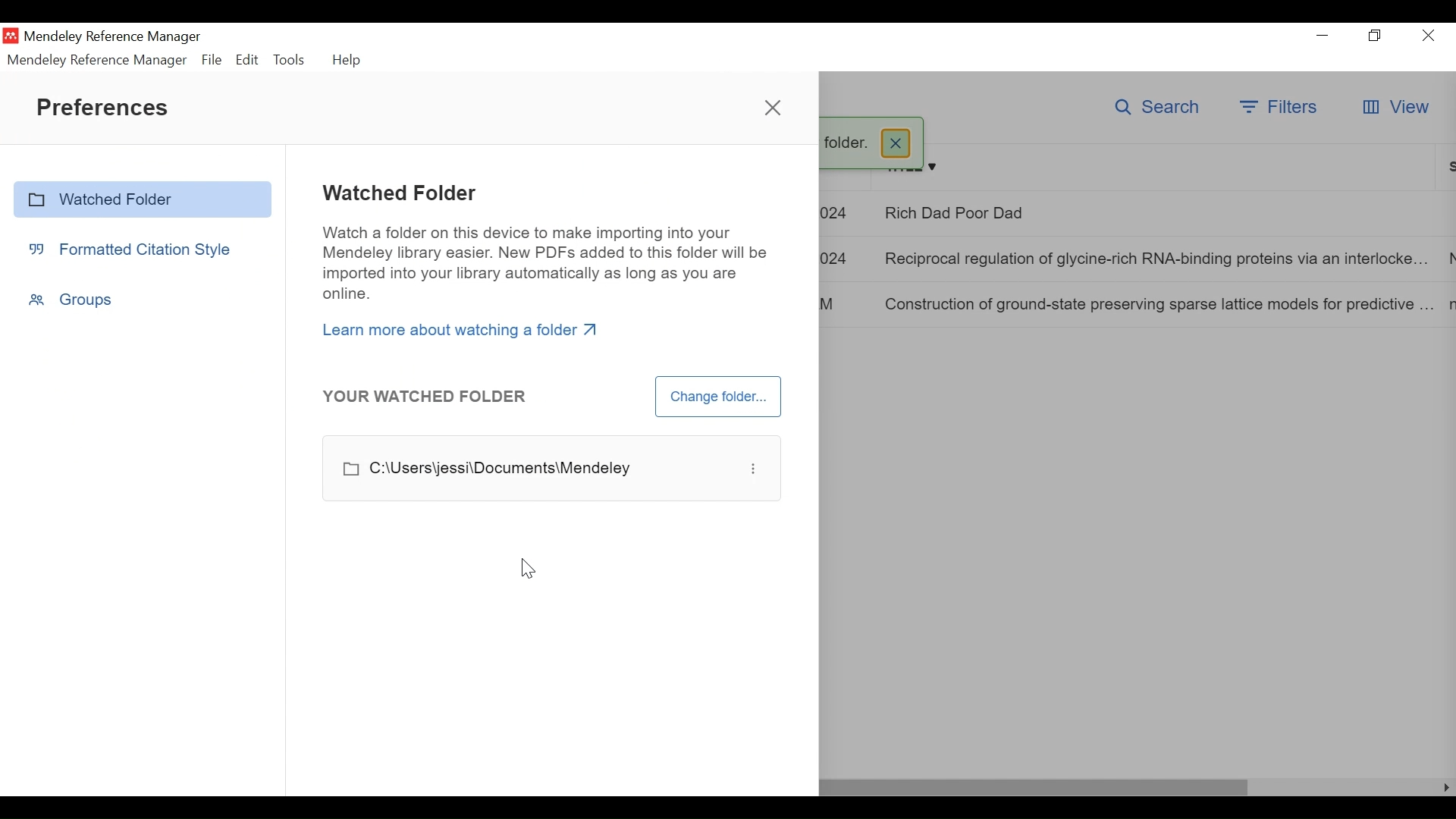 The width and height of the screenshot is (1456, 819). I want to click on Restore, so click(1378, 35).